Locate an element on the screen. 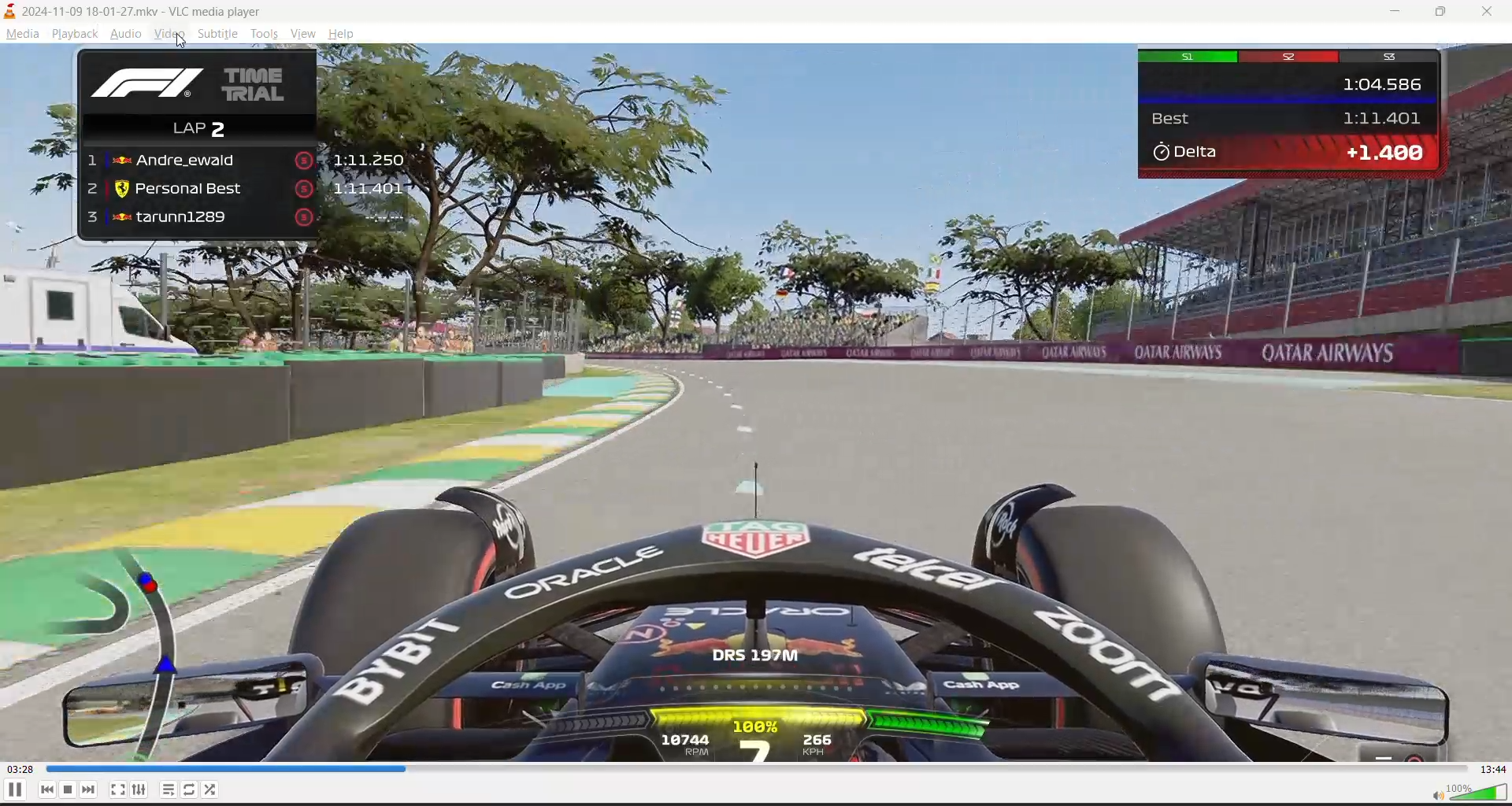 Image resolution: width=1512 pixels, height=806 pixels. volume is located at coordinates (1469, 791).